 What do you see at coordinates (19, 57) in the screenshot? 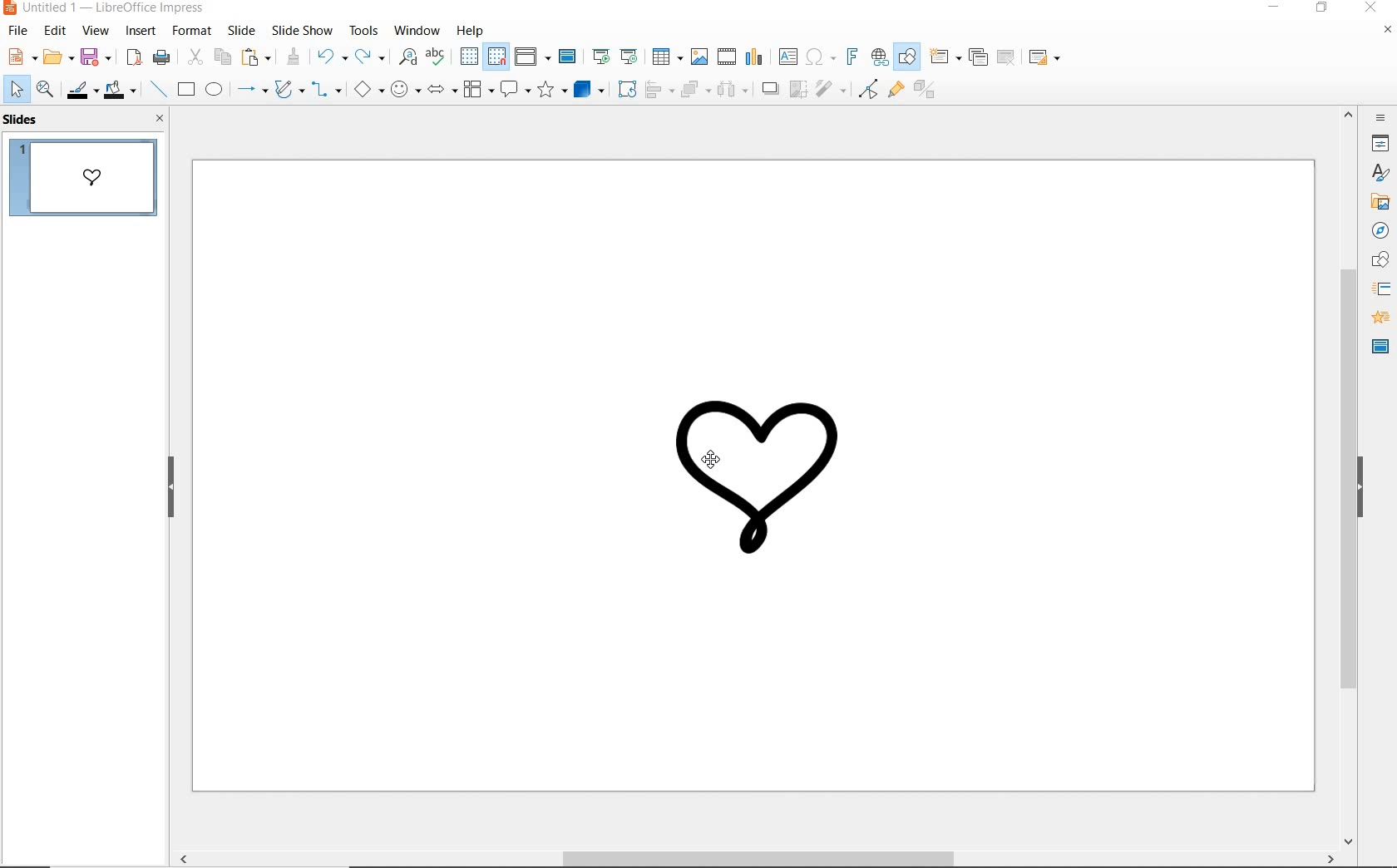
I see `new` at bounding box center [19, 57].